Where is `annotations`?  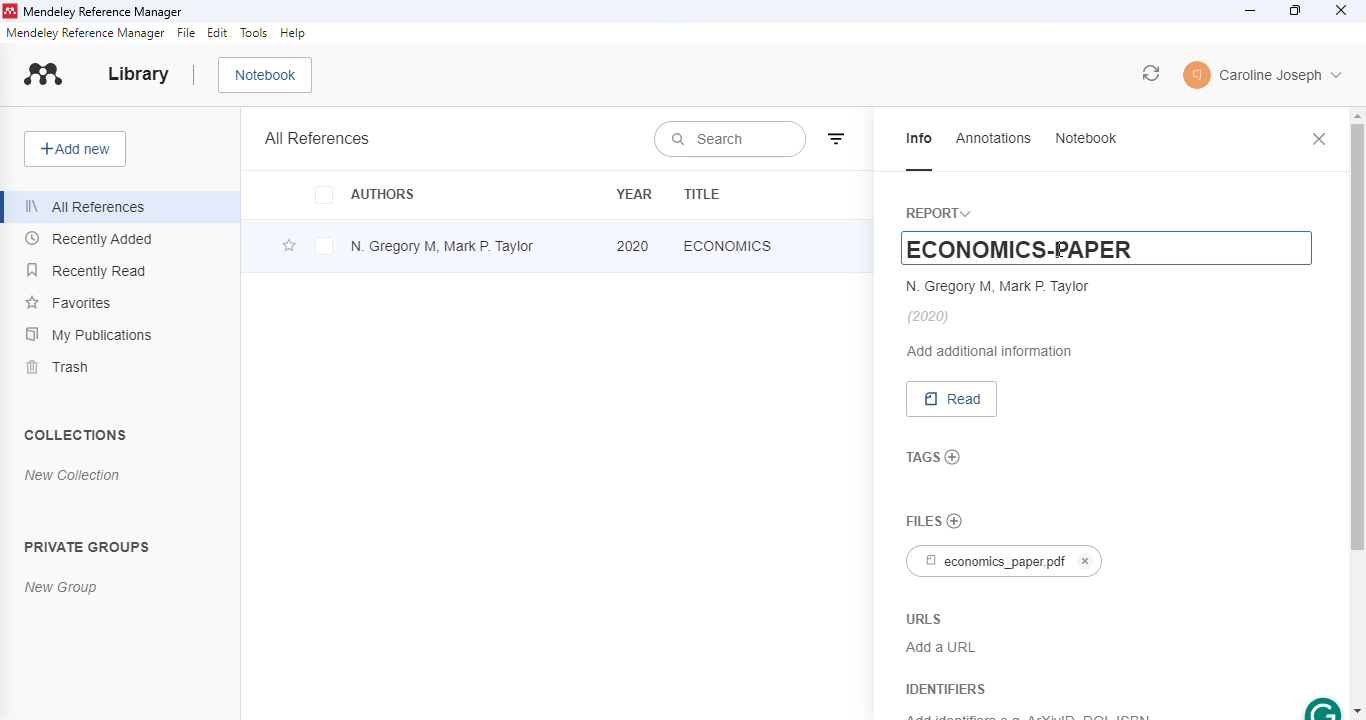 annotations is located at coordinates (995, 138).